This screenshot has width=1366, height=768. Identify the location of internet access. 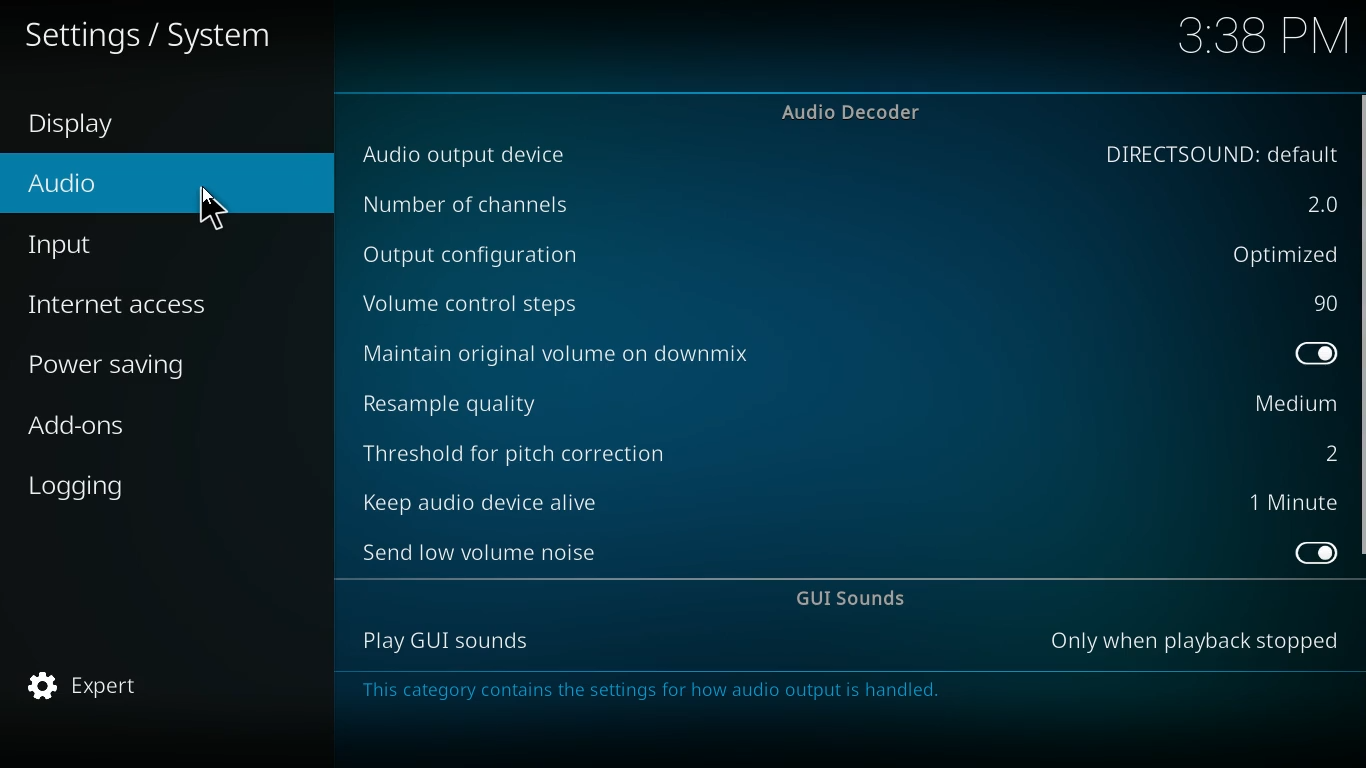
(148, 305).